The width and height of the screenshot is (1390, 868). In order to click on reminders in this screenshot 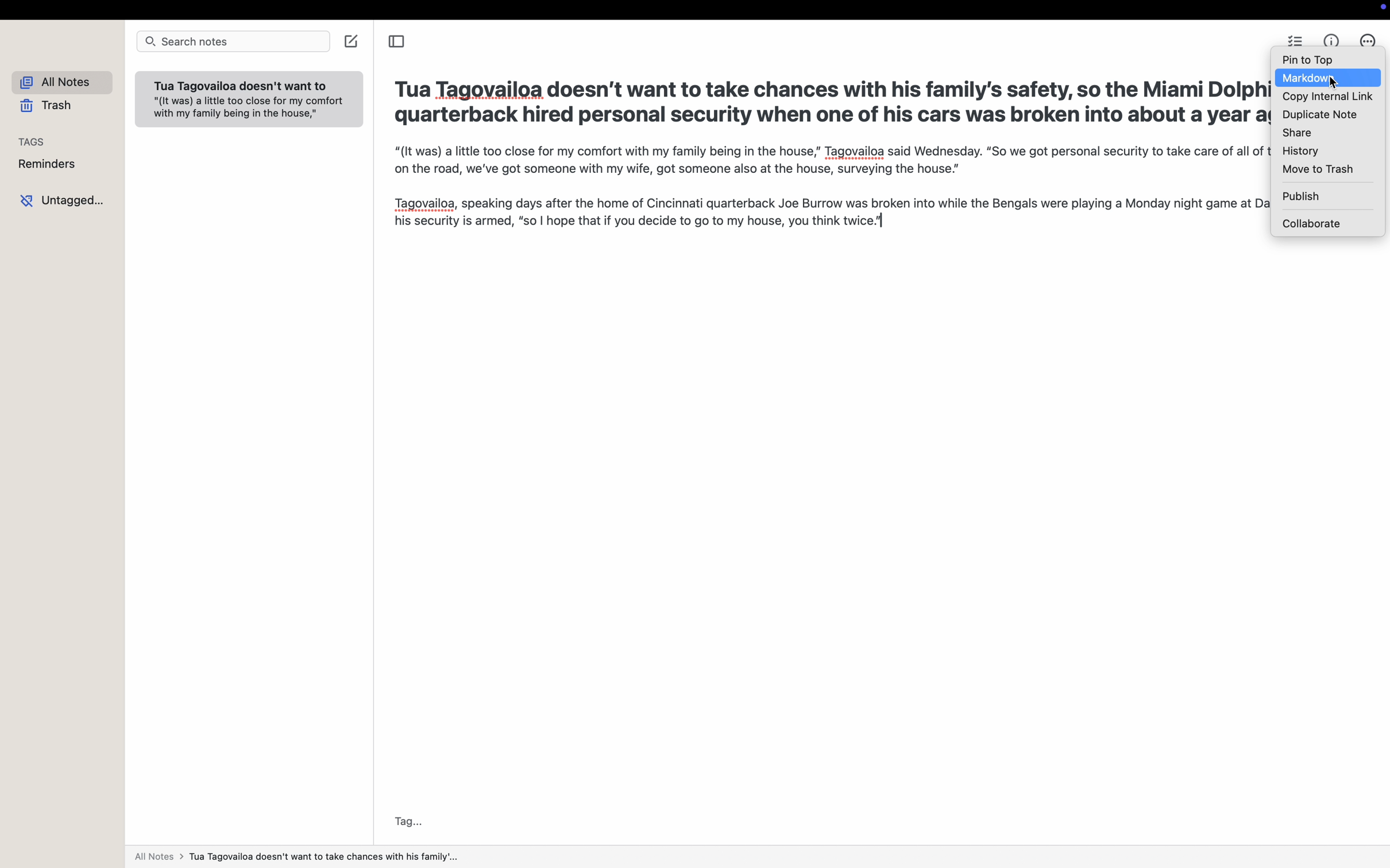, I will do `click(48, 165)`.